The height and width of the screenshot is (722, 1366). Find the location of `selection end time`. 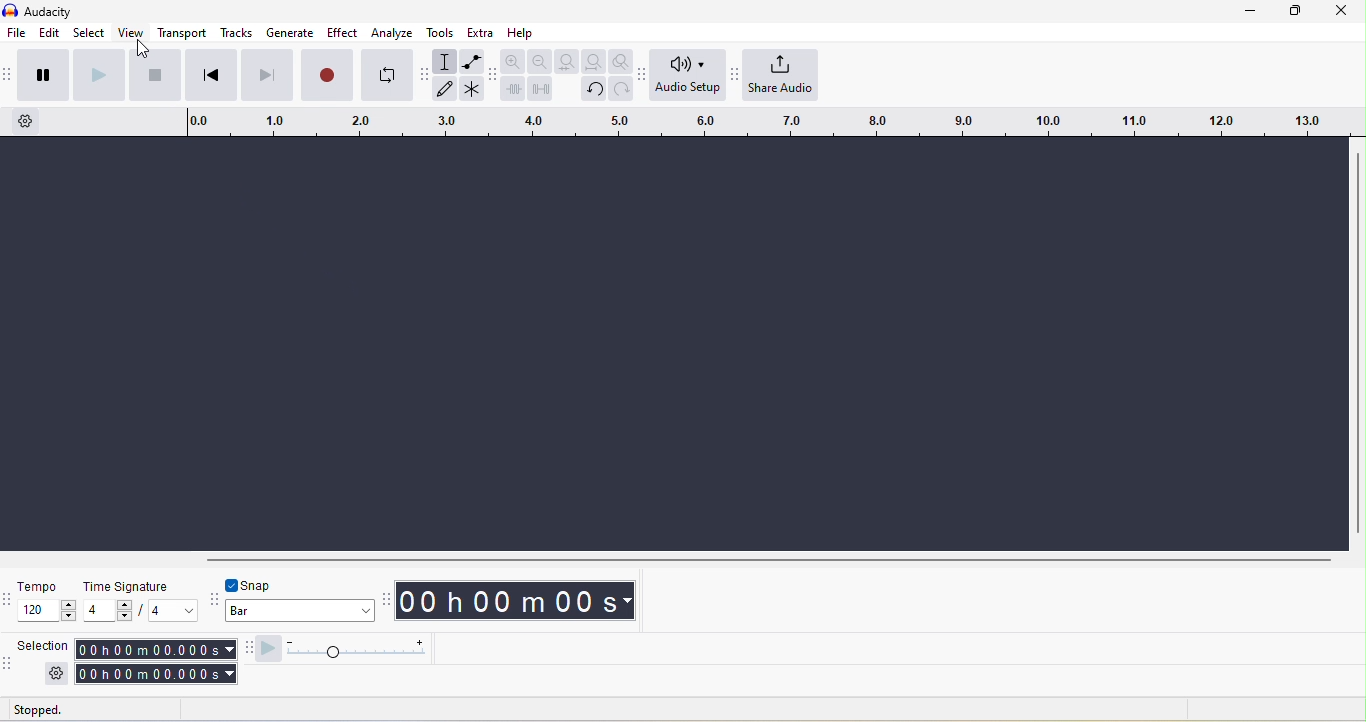

selection end time is located at coordinates (157, 674).